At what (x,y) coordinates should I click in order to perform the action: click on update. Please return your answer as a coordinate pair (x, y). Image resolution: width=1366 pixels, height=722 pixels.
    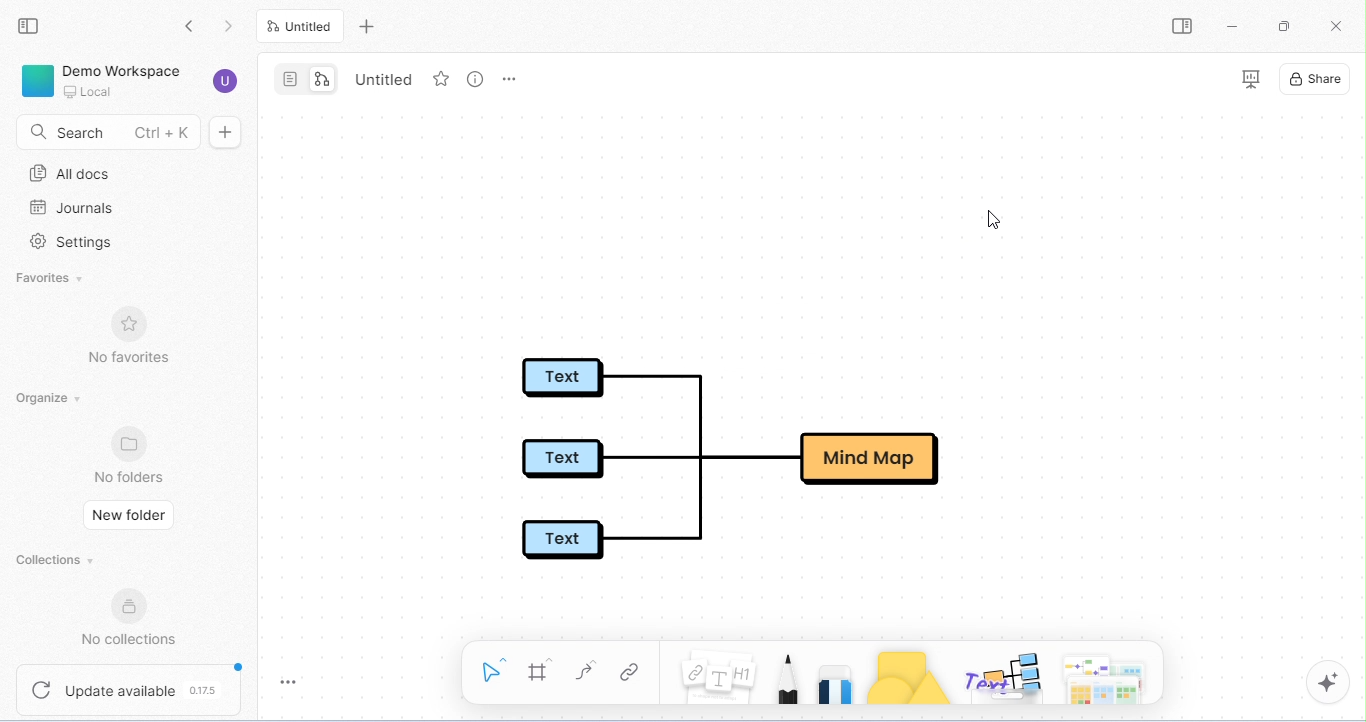
    Looking at the image, I should click on (131, 689).